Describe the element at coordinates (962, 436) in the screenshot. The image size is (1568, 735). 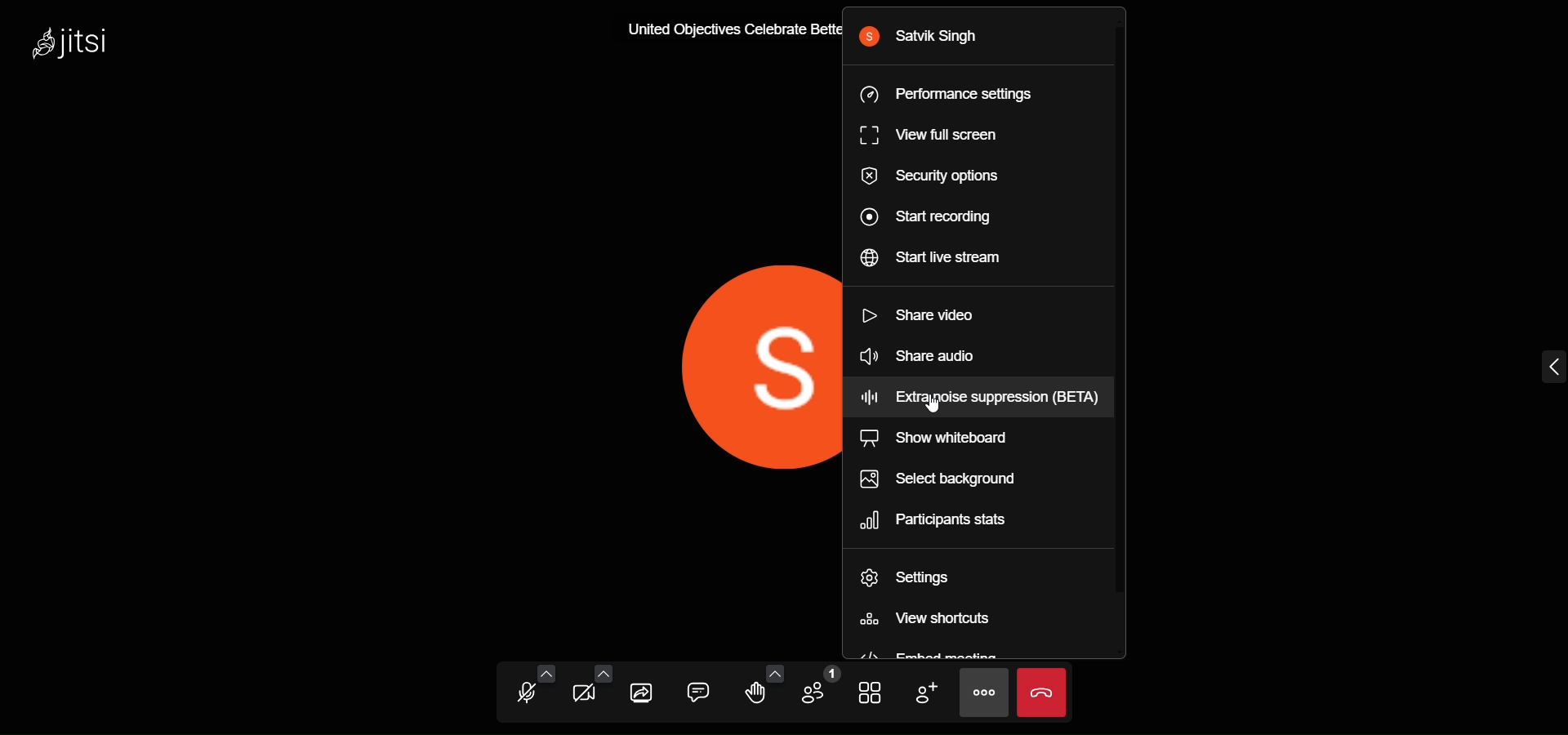
I see `show whiteboard` at that location.